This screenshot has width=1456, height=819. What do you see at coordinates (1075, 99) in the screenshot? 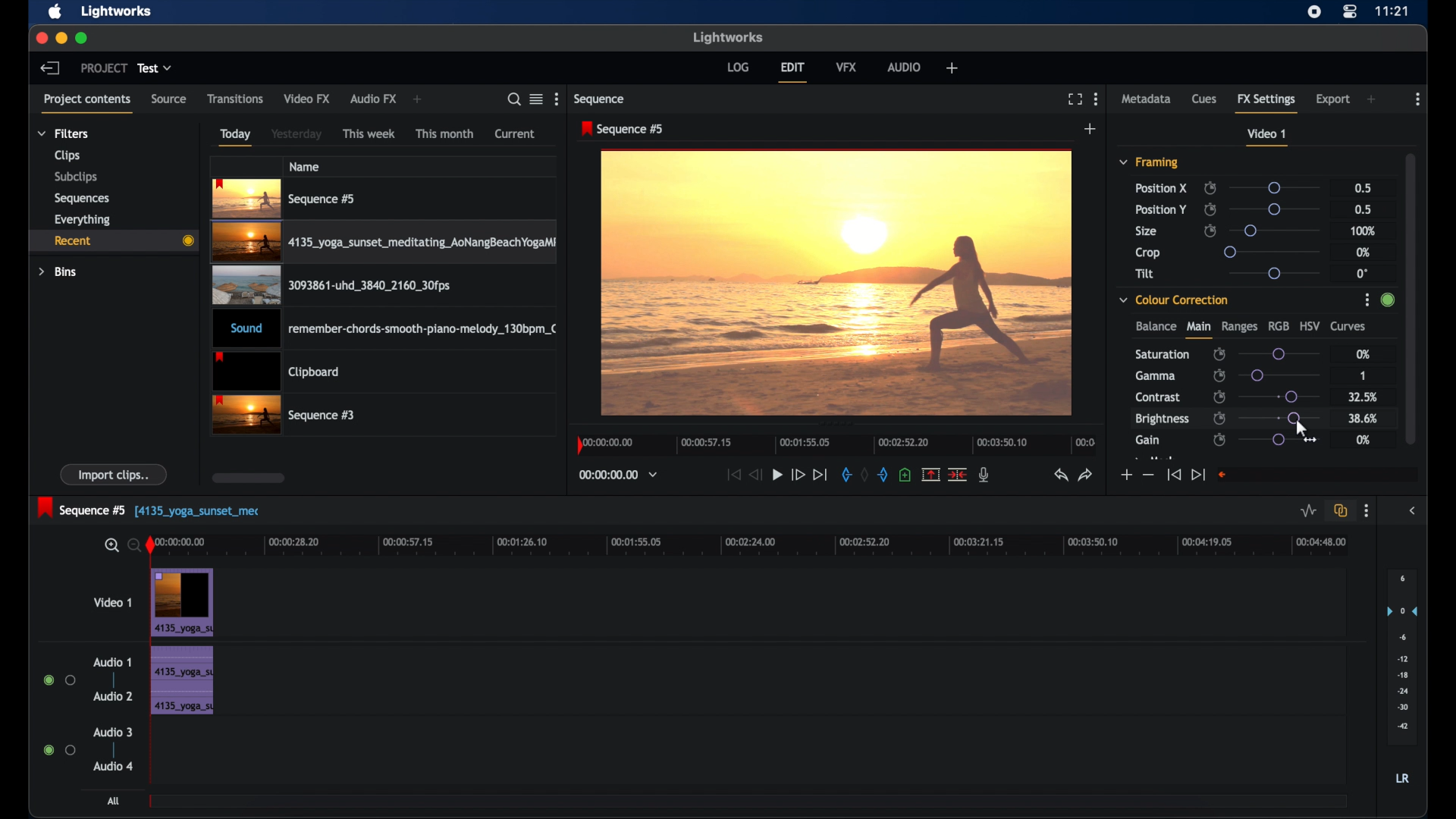
I see `full screen` at bounding box center [1075, 99].